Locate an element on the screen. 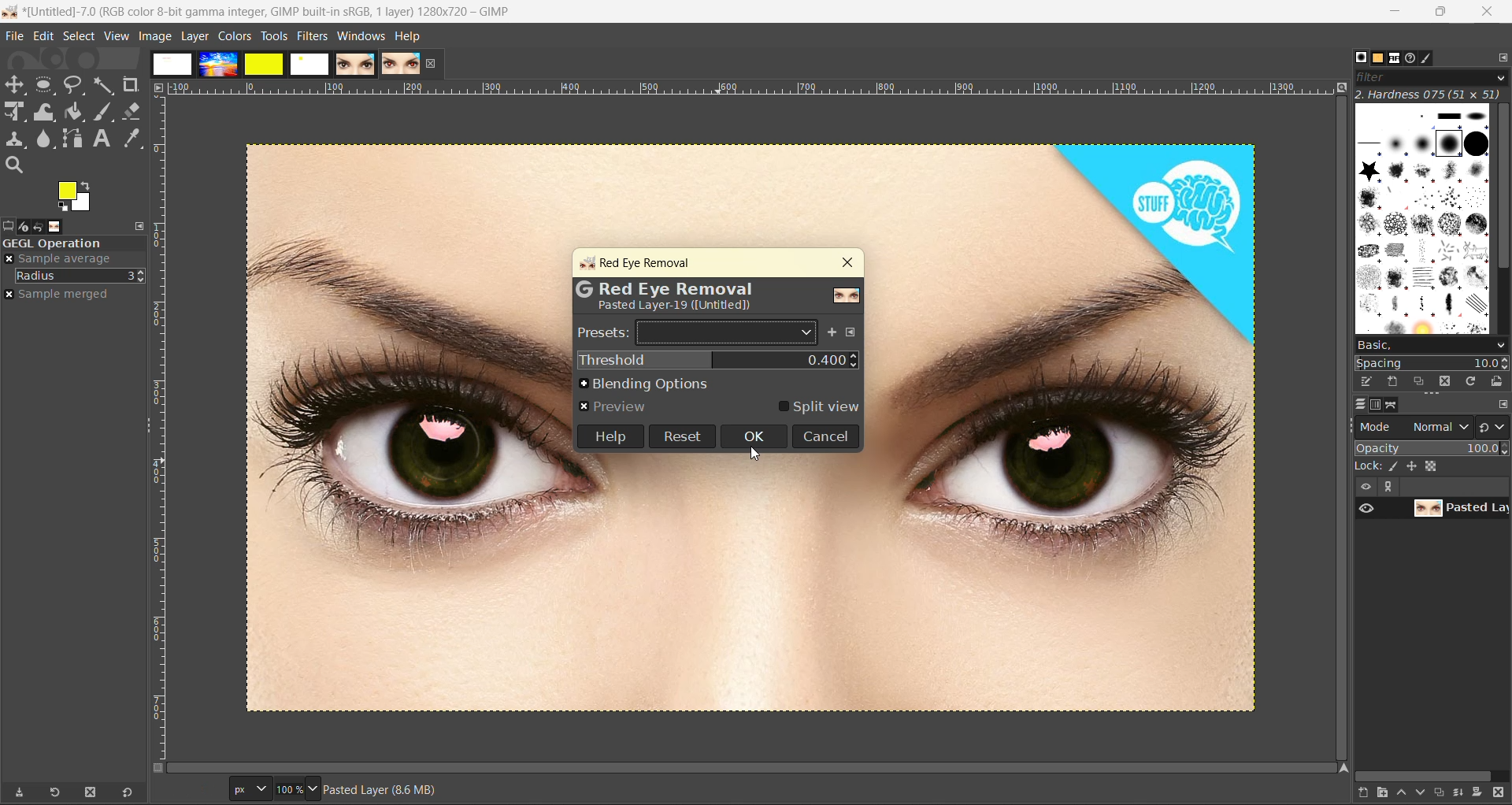  size is located at coordinates (273, 788).